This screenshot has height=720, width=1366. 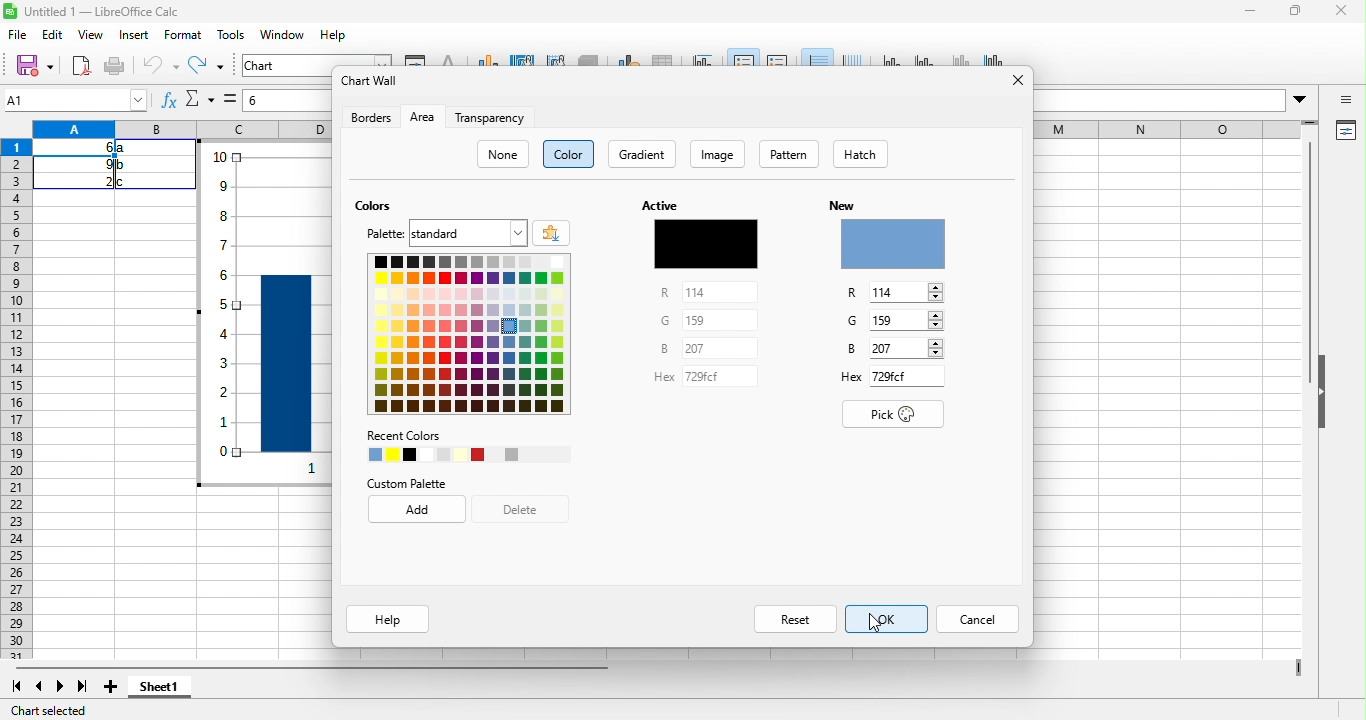 I want to click on recent colors, so click(x=469, y=458).